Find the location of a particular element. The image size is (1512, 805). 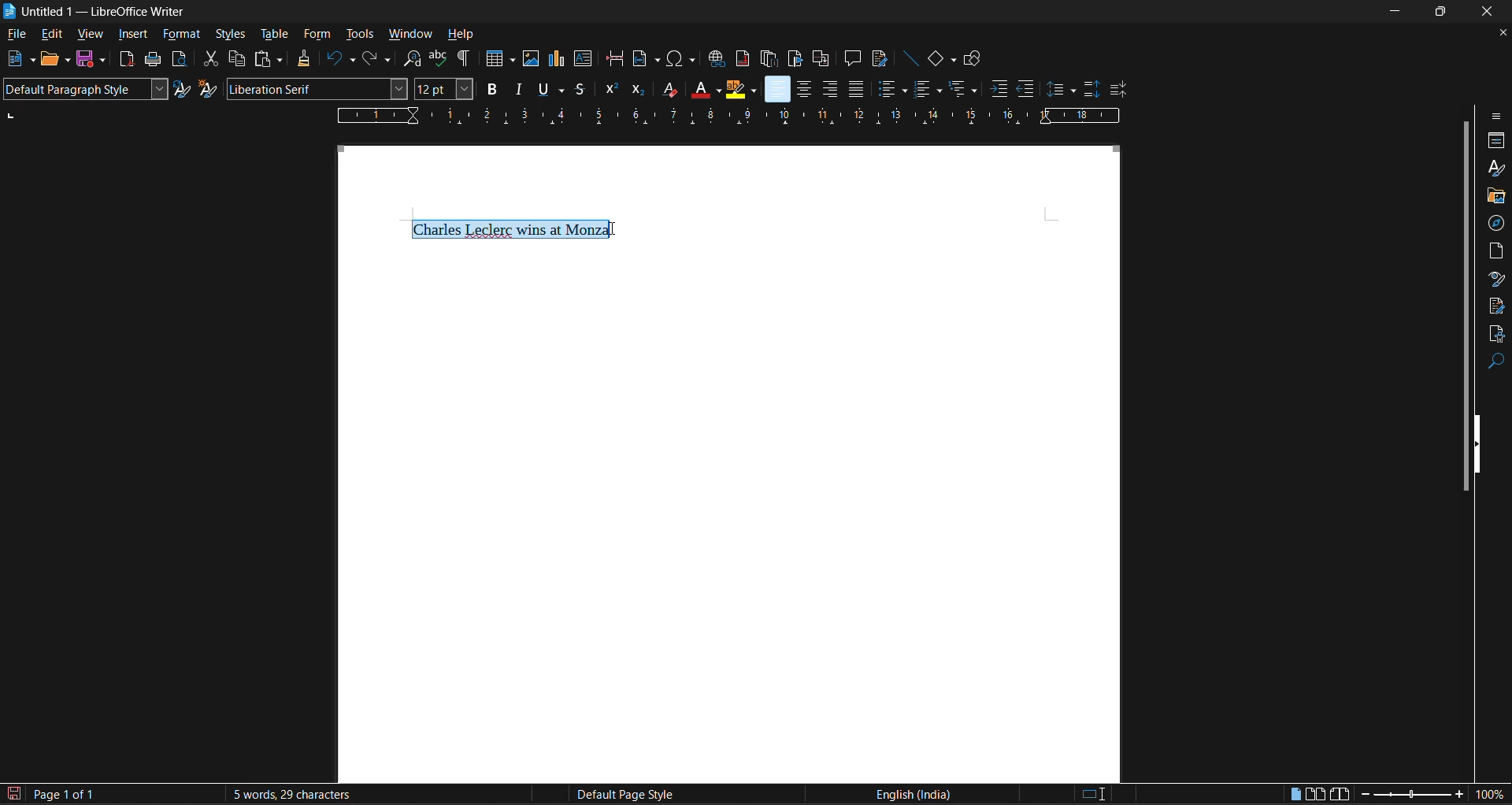

edit is located at coordinates (50, 35).